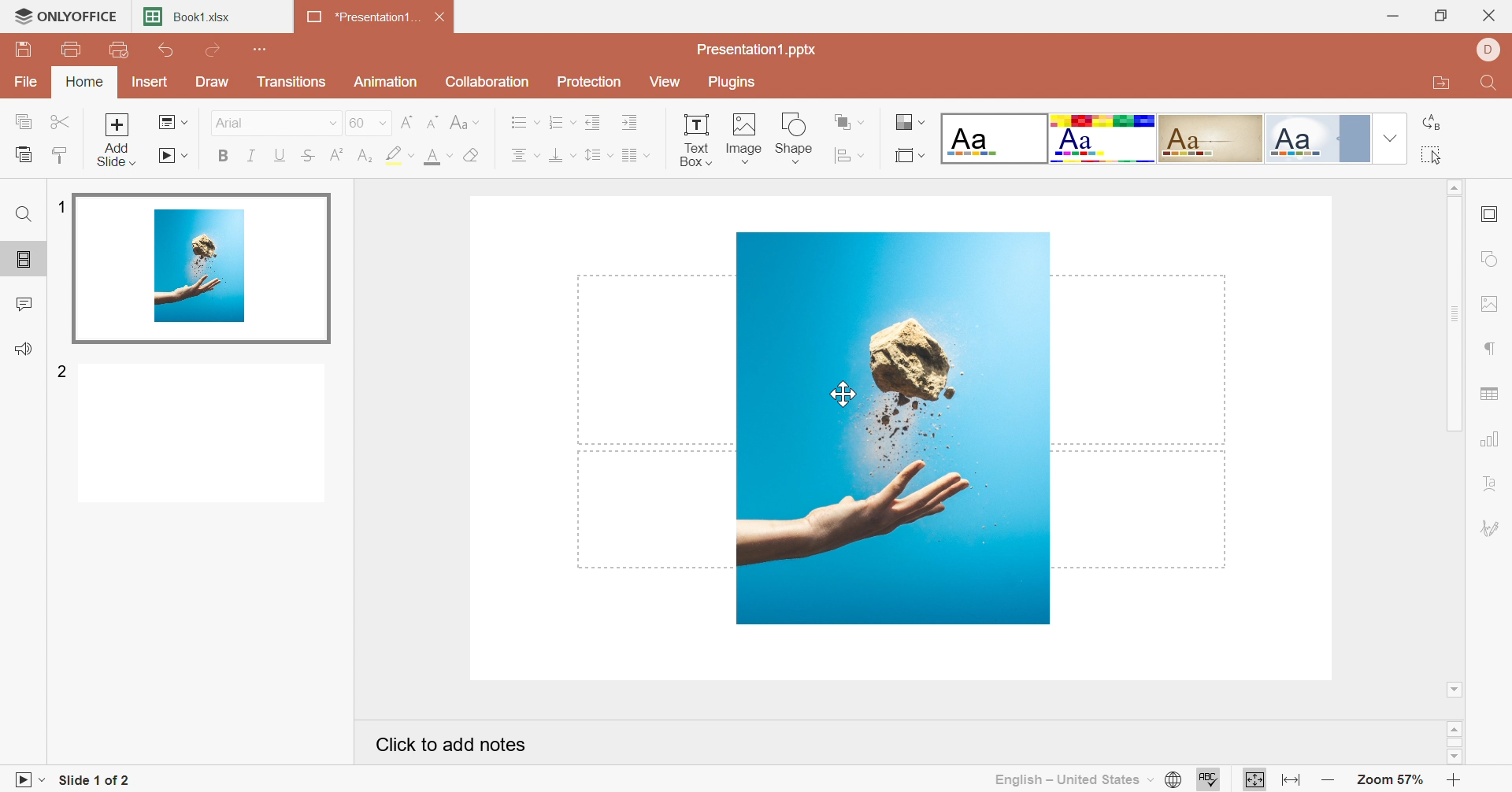 The height and width of the screenshot is (792, 1512). Describe the element at coordinates (62, 373) in the screenshot. I see `2` at that location.